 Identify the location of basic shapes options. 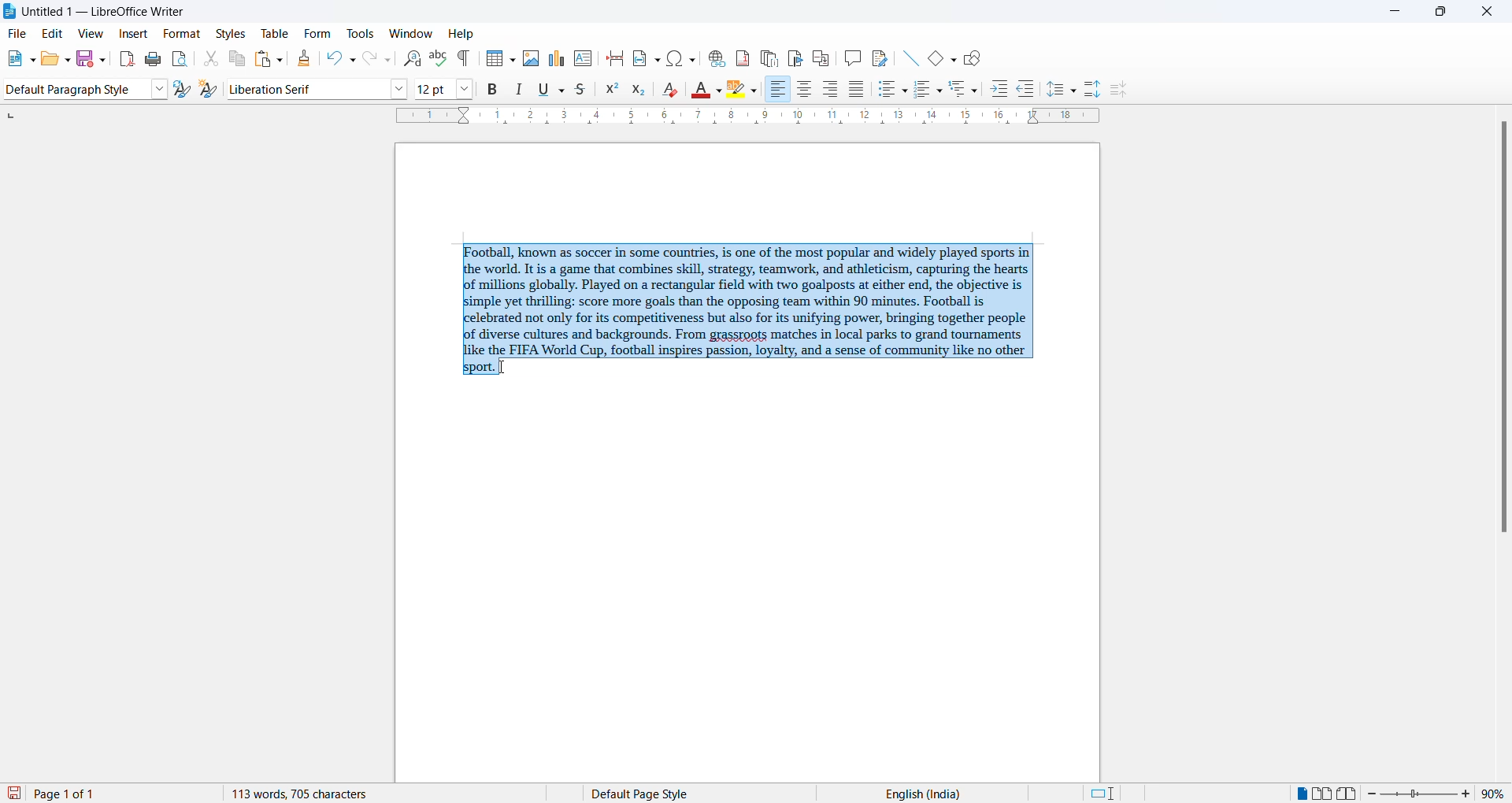
(951, 60).